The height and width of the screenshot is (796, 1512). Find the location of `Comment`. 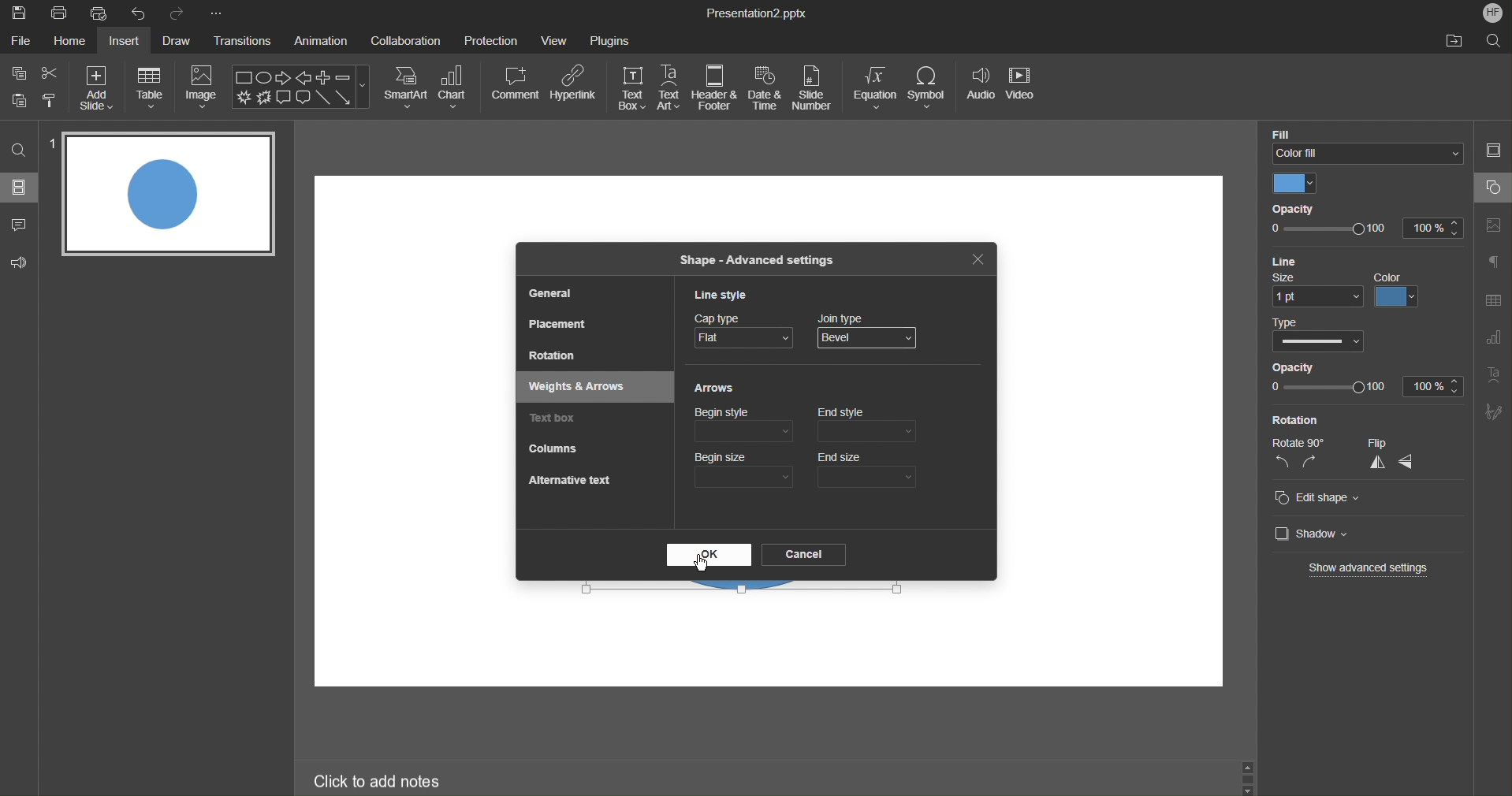

Comment is located at coordinates (20, 221).